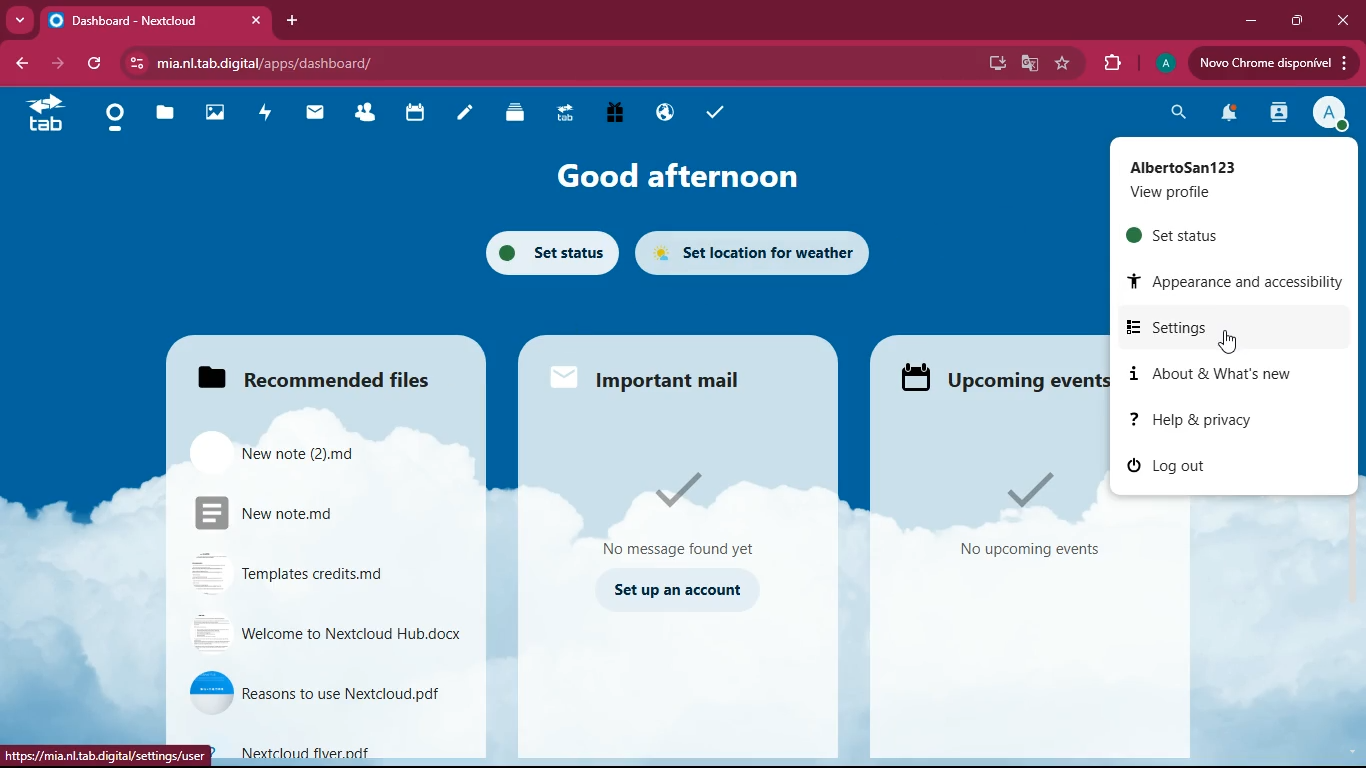  Describe the element at coordinates (562, 116) in the screenshot. I see `tab` at that location.